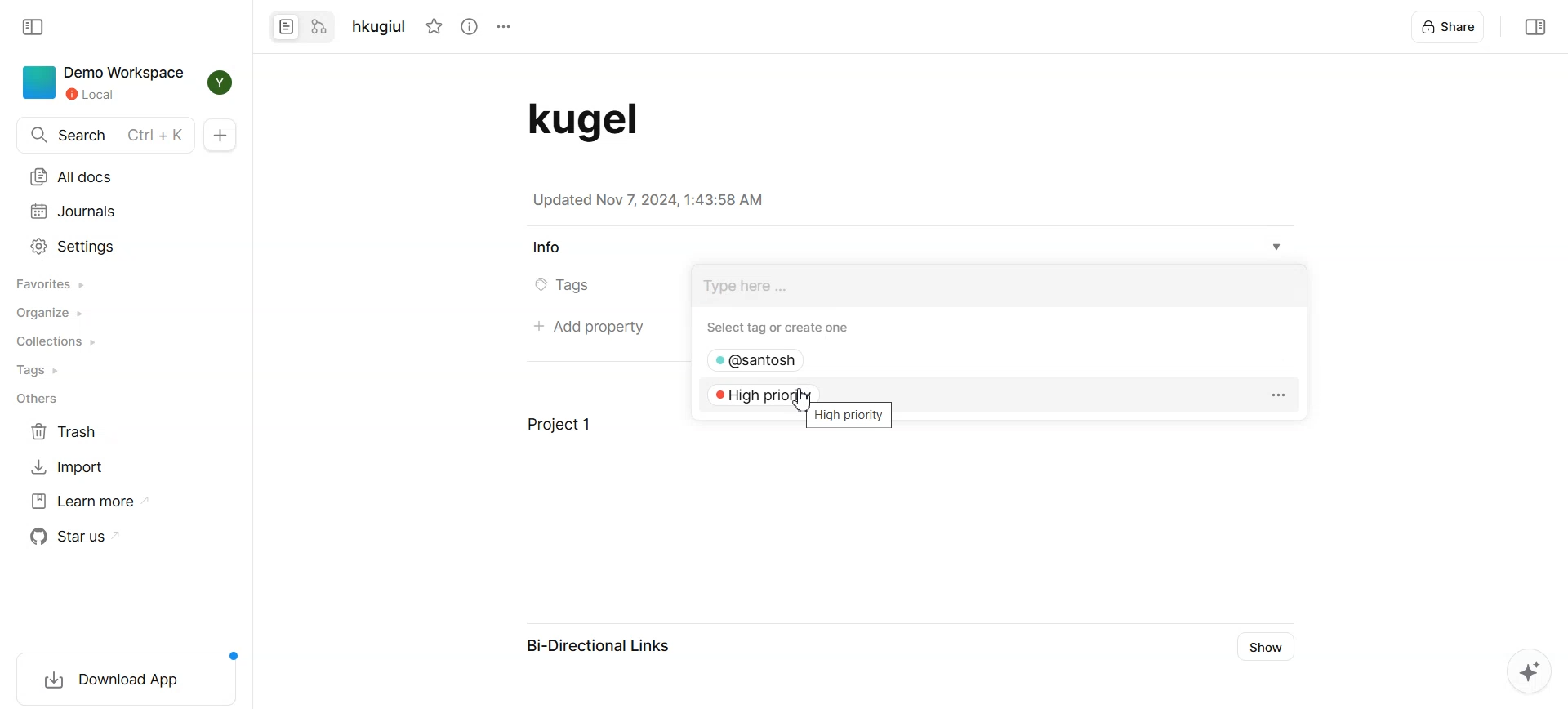 Image resolution: width=1568 pixels, height=709 pixels. I want to click on Collapse sidebar, so click(32, 28).